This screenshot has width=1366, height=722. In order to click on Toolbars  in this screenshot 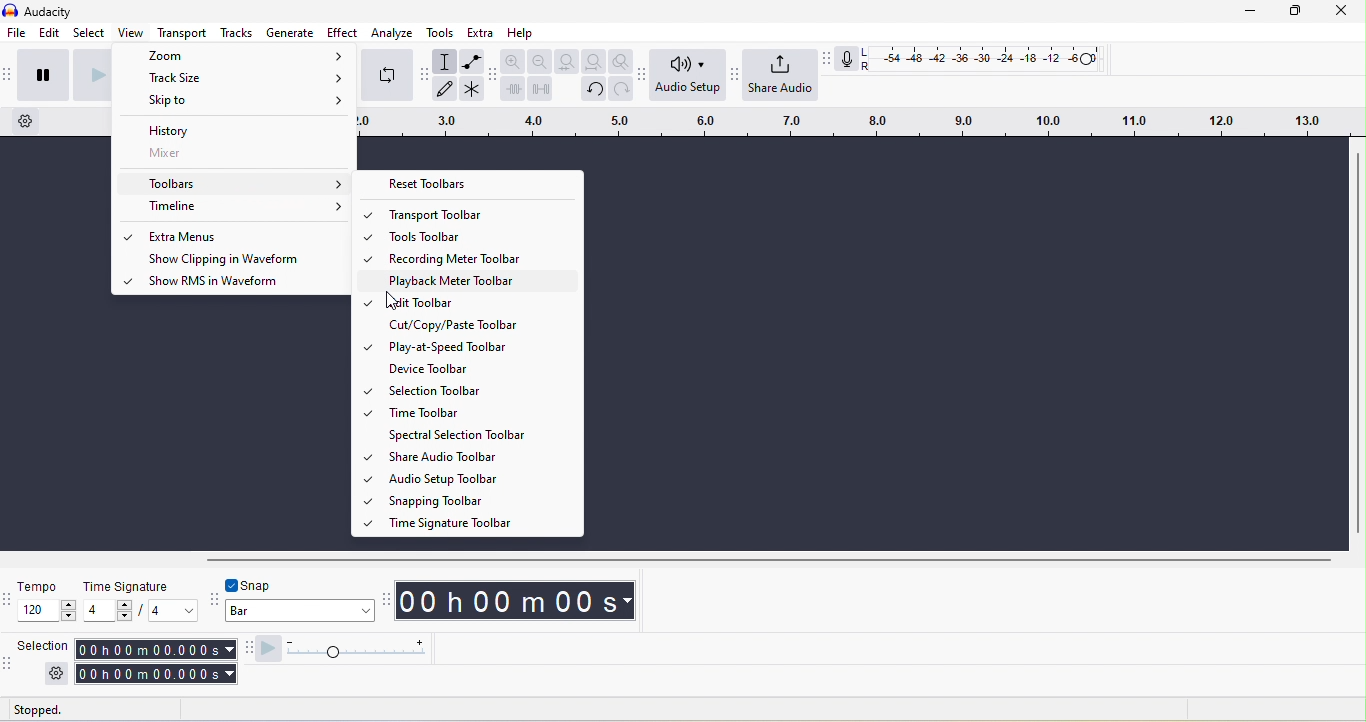, I will do `click(236, 184)`.